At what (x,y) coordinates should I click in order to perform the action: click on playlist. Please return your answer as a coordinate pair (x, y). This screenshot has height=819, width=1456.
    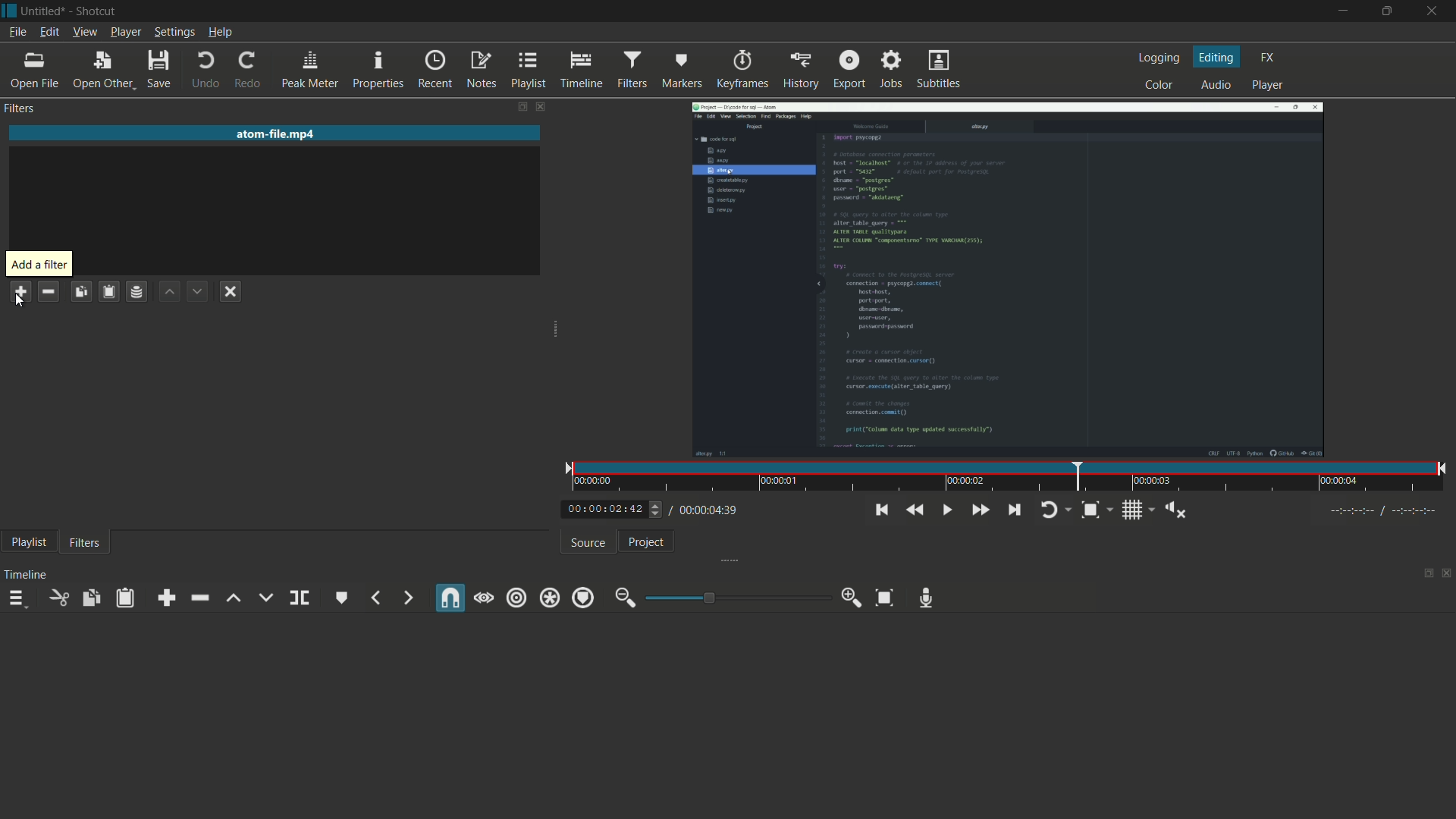
    Looking at the image, I should click on (29, 541).